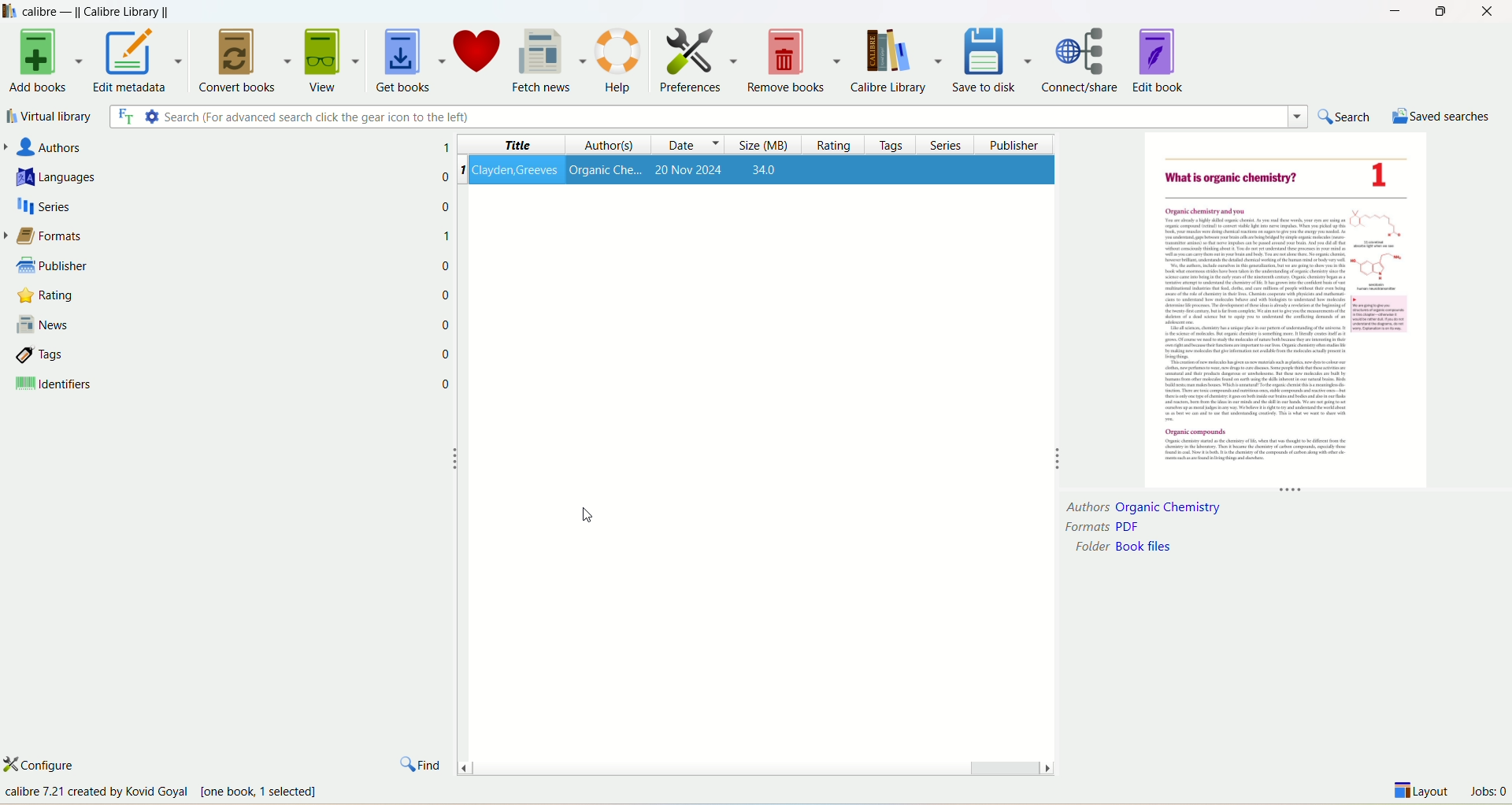 The height and width of the screenshot is (805, 1512). Describe the element at coordinates (593, 146) in the screenshot. I see `authors` at that location.